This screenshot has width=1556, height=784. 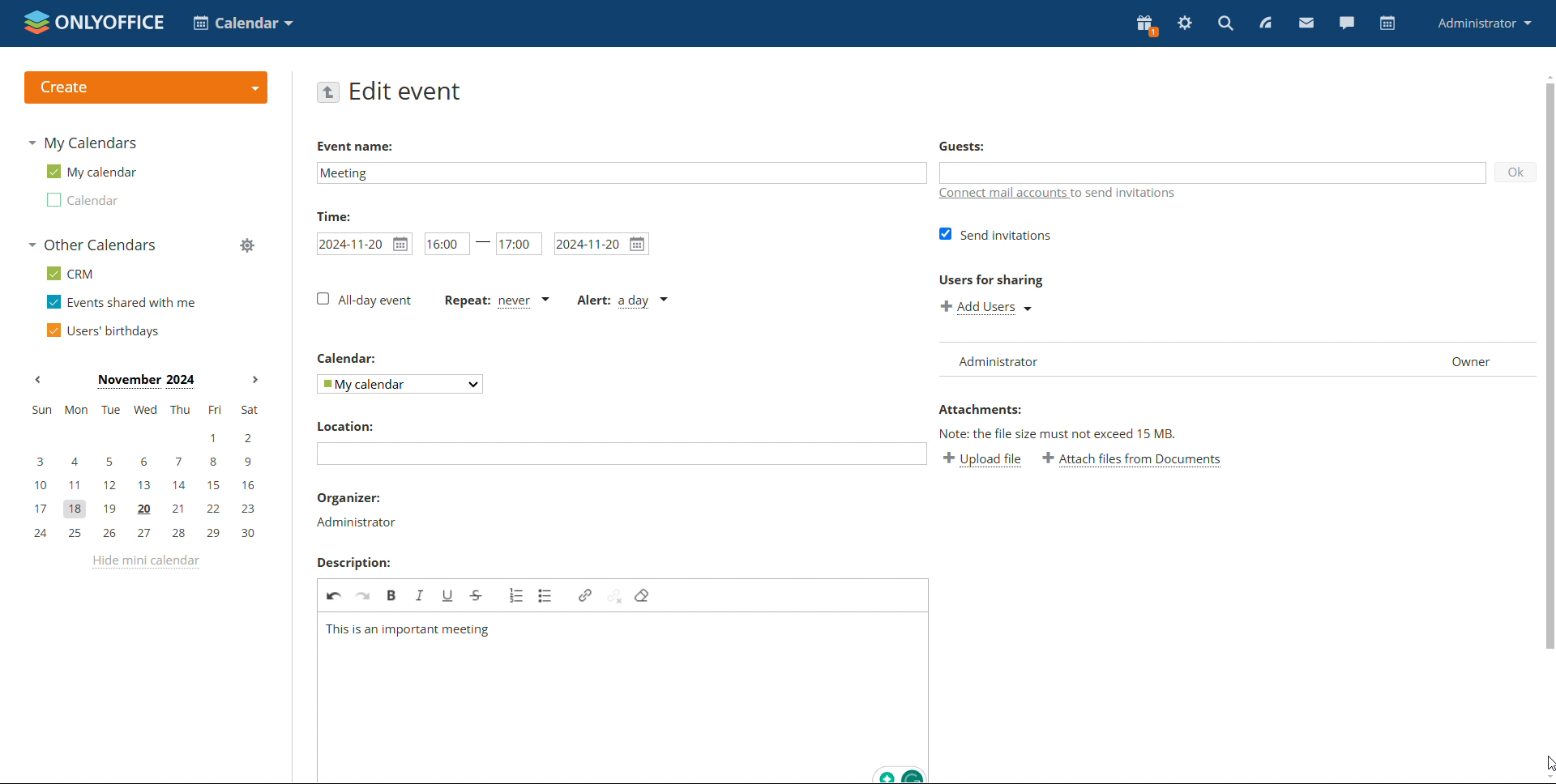 What do you see at coordinates (242, 23) in the screenshot?
I see `select application` at bounding box center [242, 23].